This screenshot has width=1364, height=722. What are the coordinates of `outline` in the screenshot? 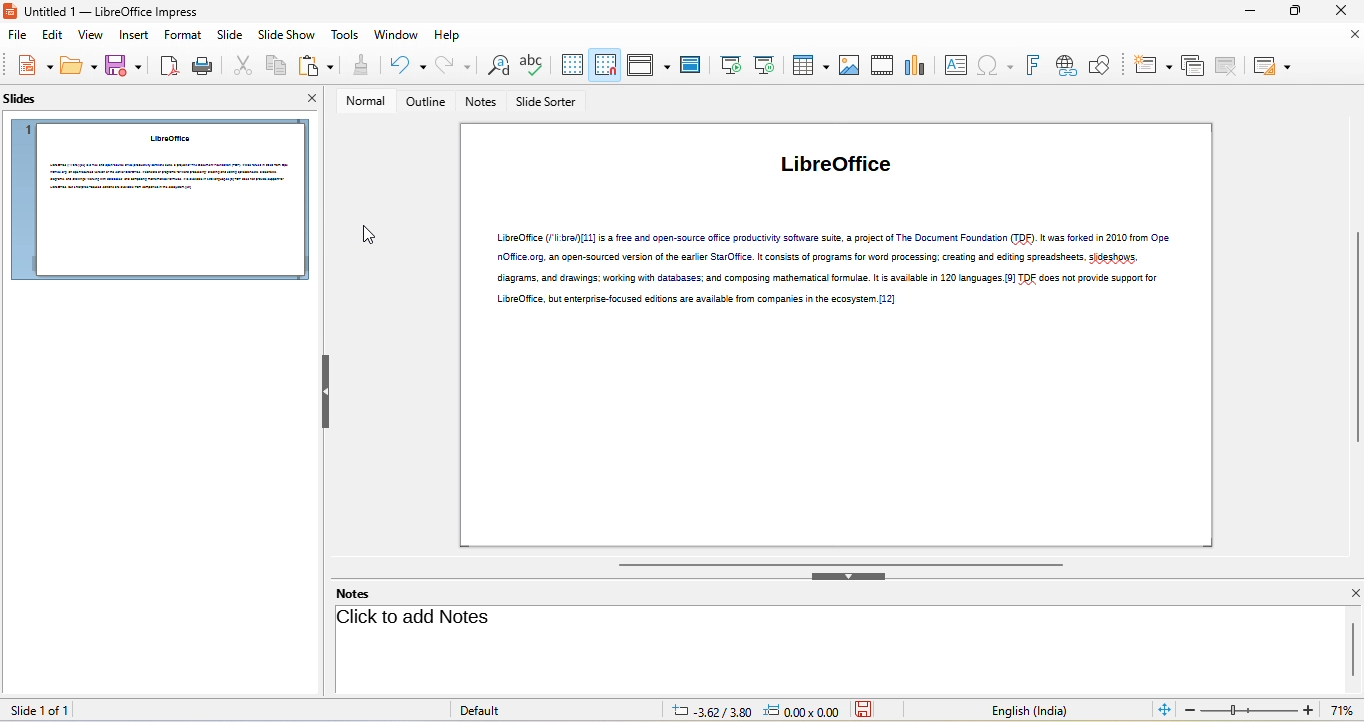 It's located at (425, 102).